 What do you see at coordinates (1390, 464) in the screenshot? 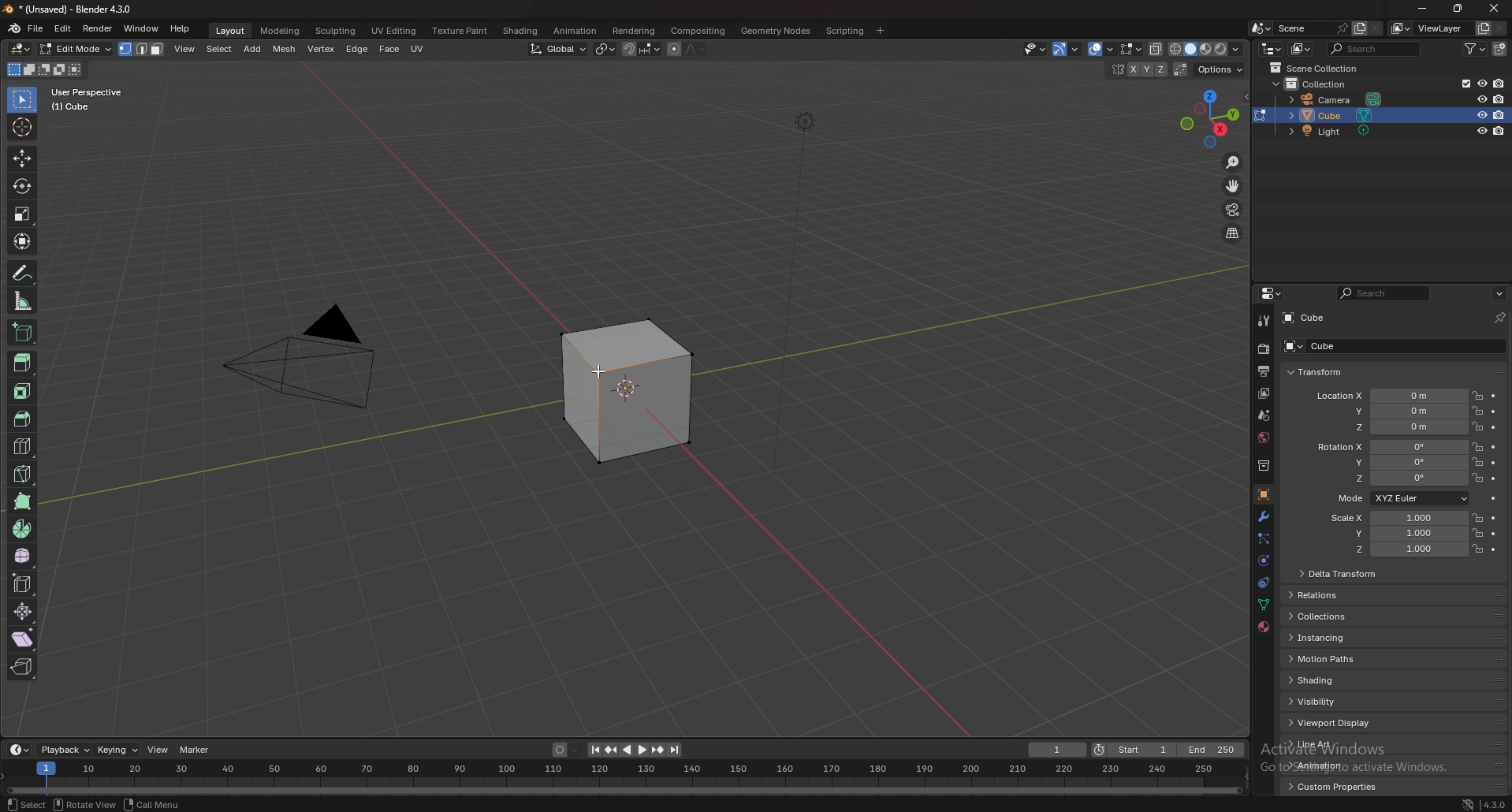
I see `rotation y` at bounding box center [1390, 464].